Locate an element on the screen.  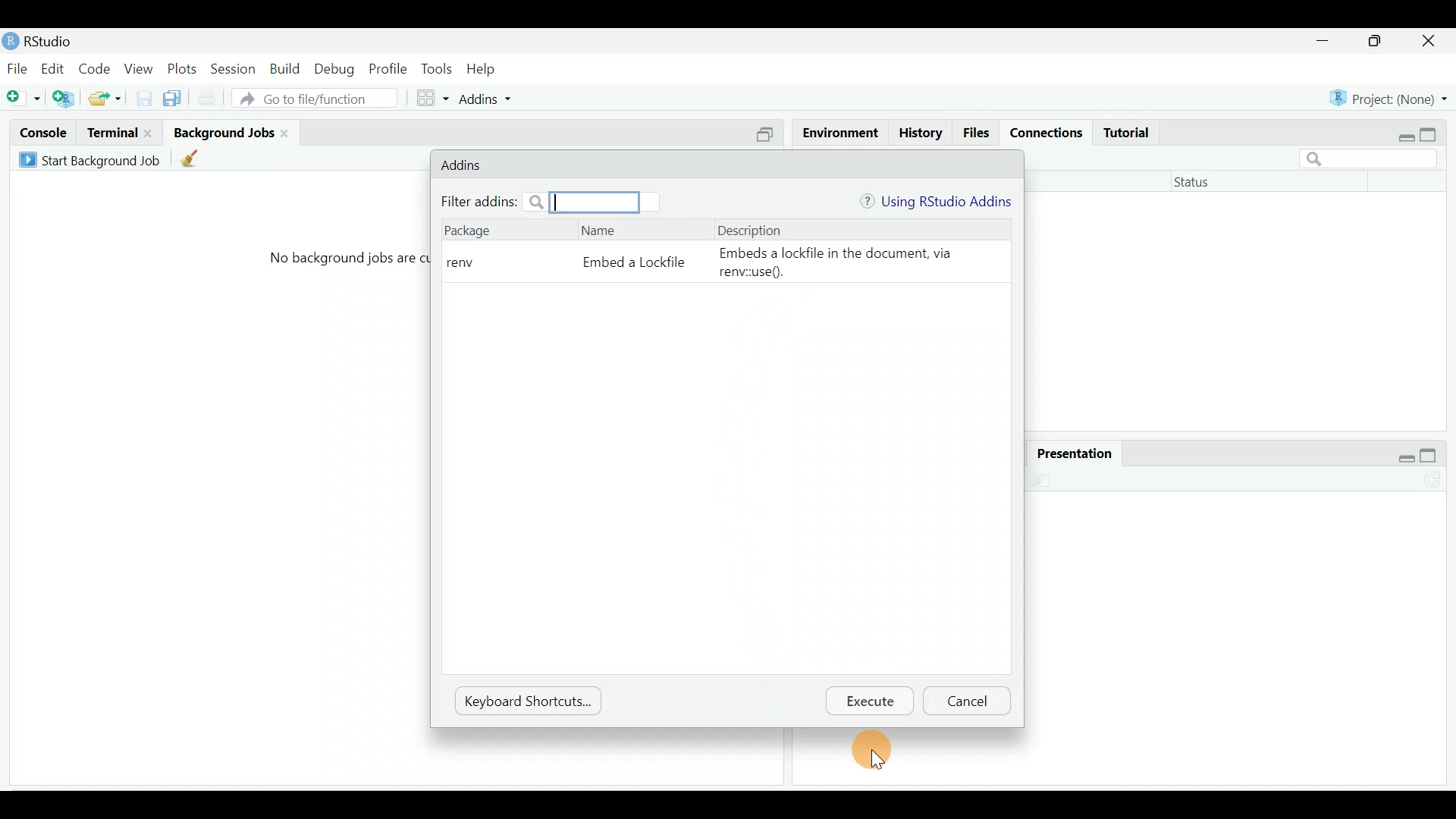
File is located at coordinates (17, 68).